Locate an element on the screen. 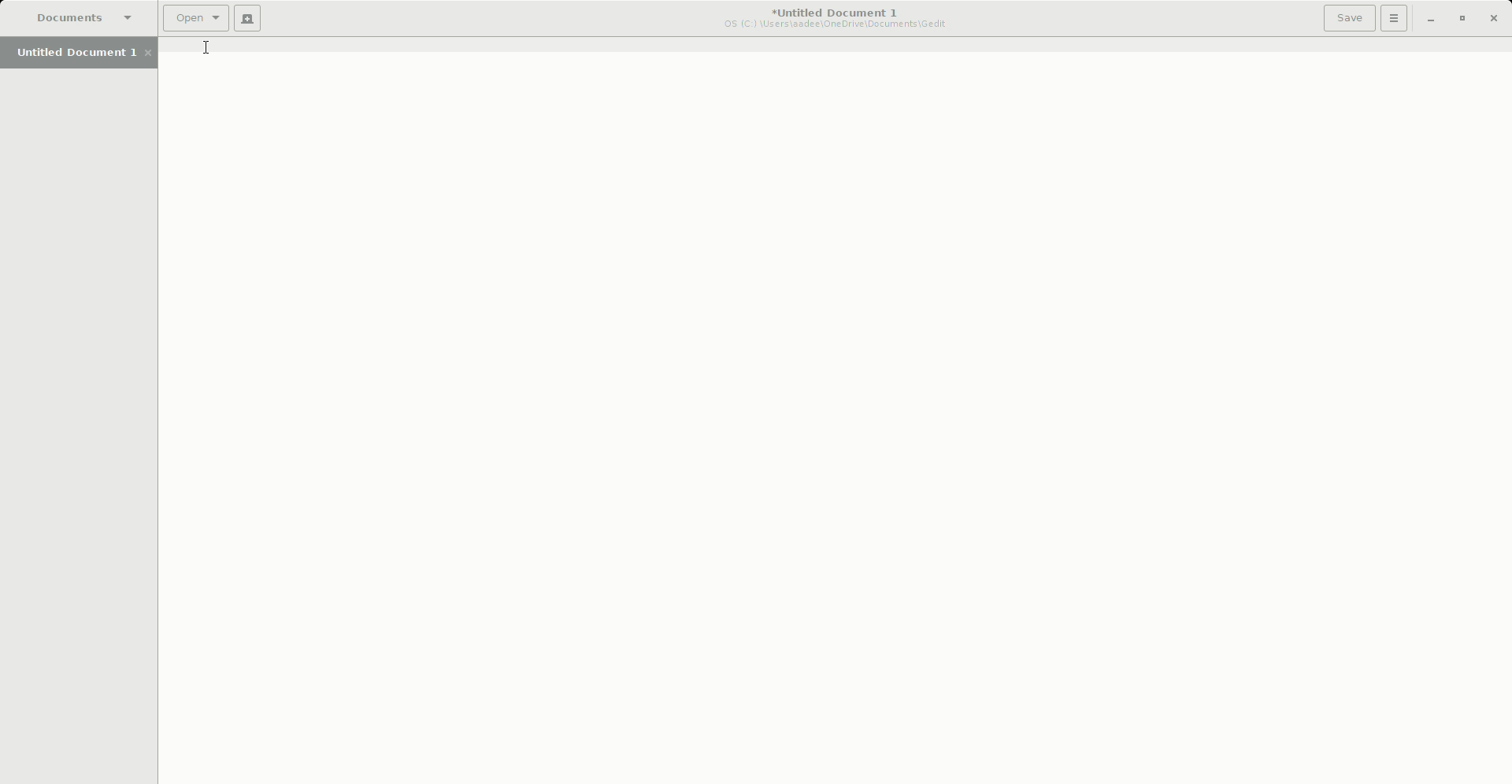  Options is located at coordinates (1395, 18).